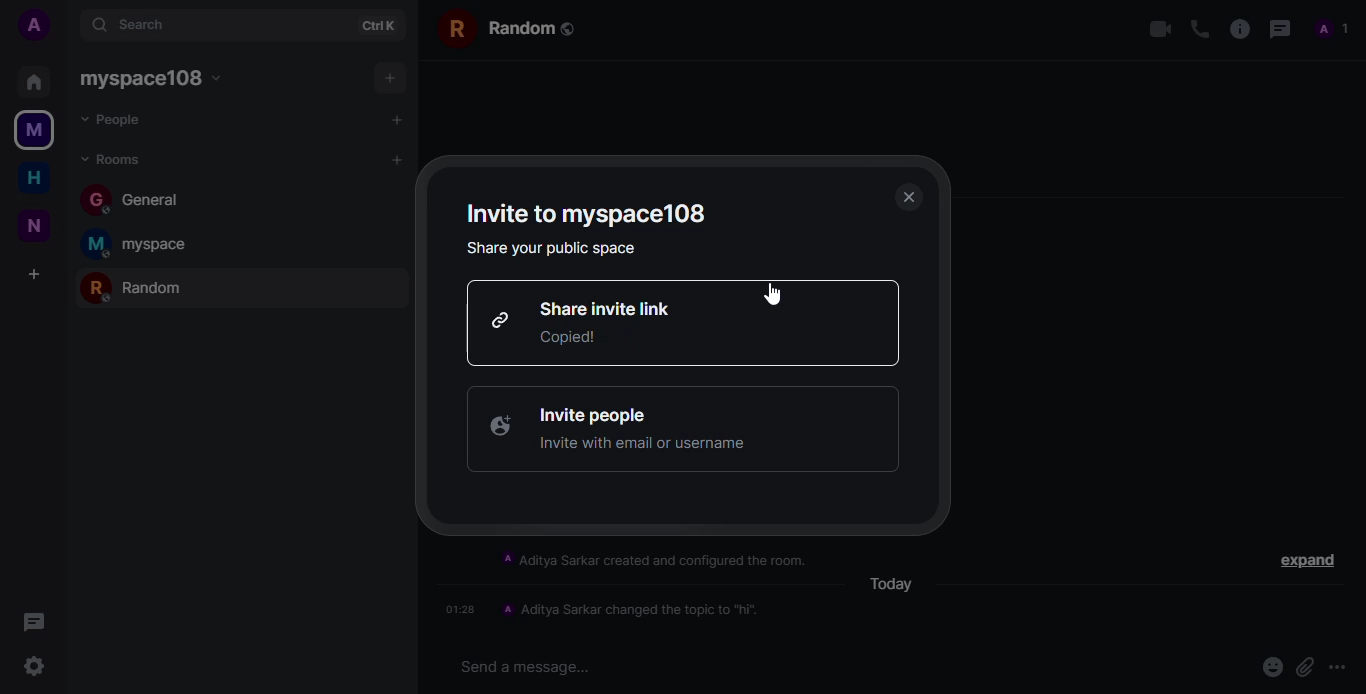 This screenshot has width=1366, height=694. What do you see at coordinates (893, 584) in the screenshot?
I see `today` at bounding box center [893, 584].